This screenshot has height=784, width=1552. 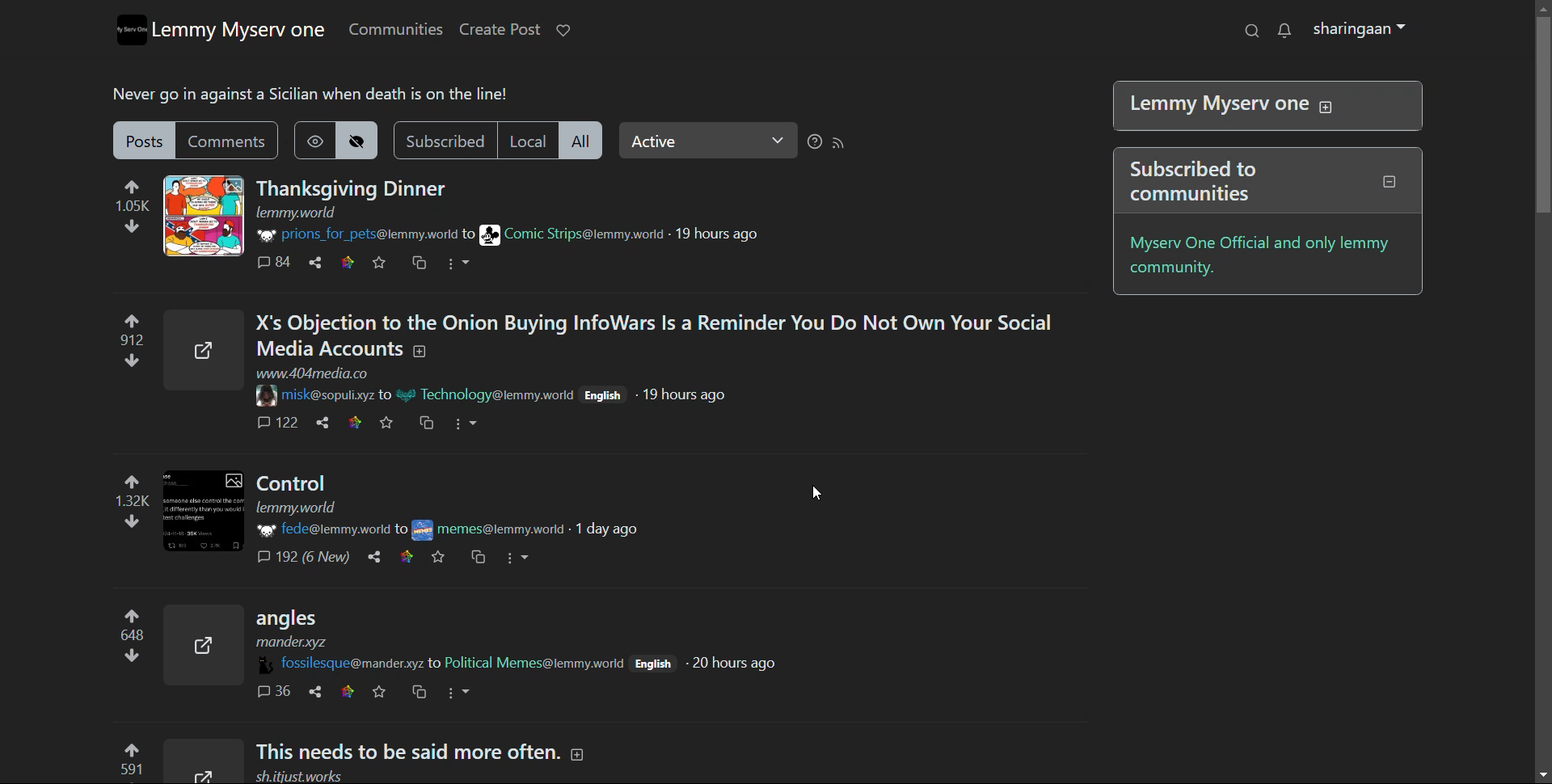 What do you see at coordinates (731, 663) in the screenshot?
I see `20 hours ago (post time)` at bounding box center [731, 663].